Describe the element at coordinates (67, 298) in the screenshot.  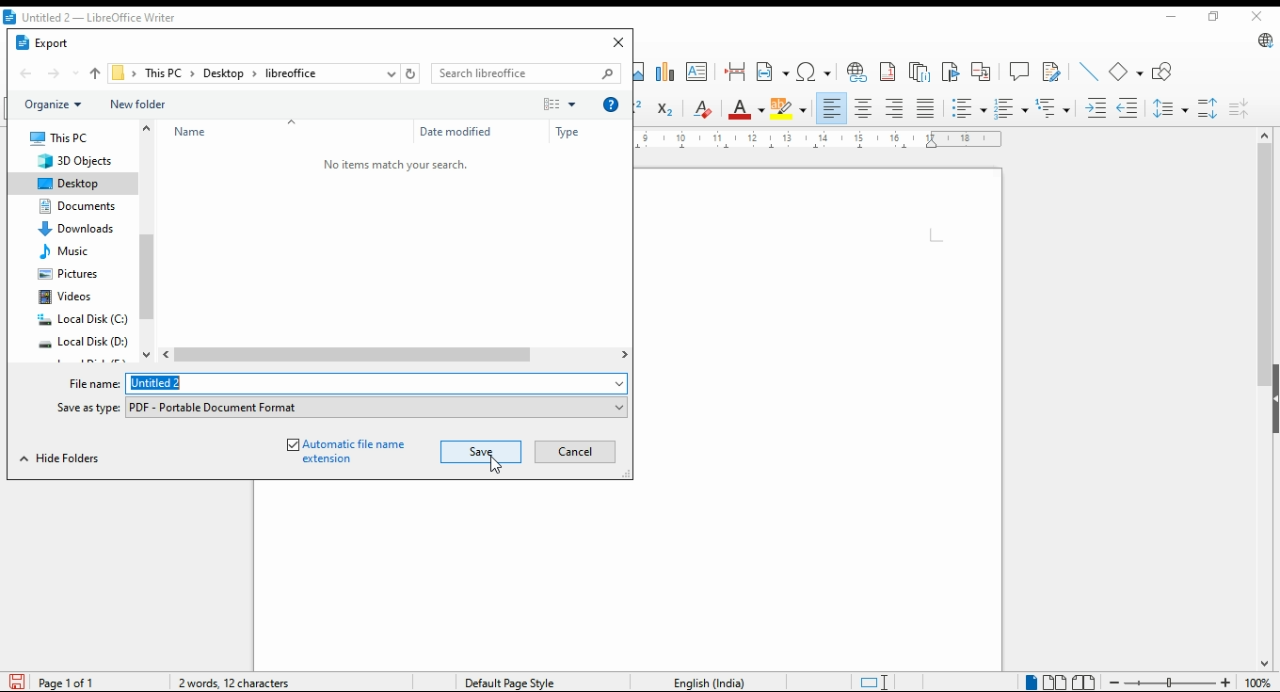
I see `videos` at that location.